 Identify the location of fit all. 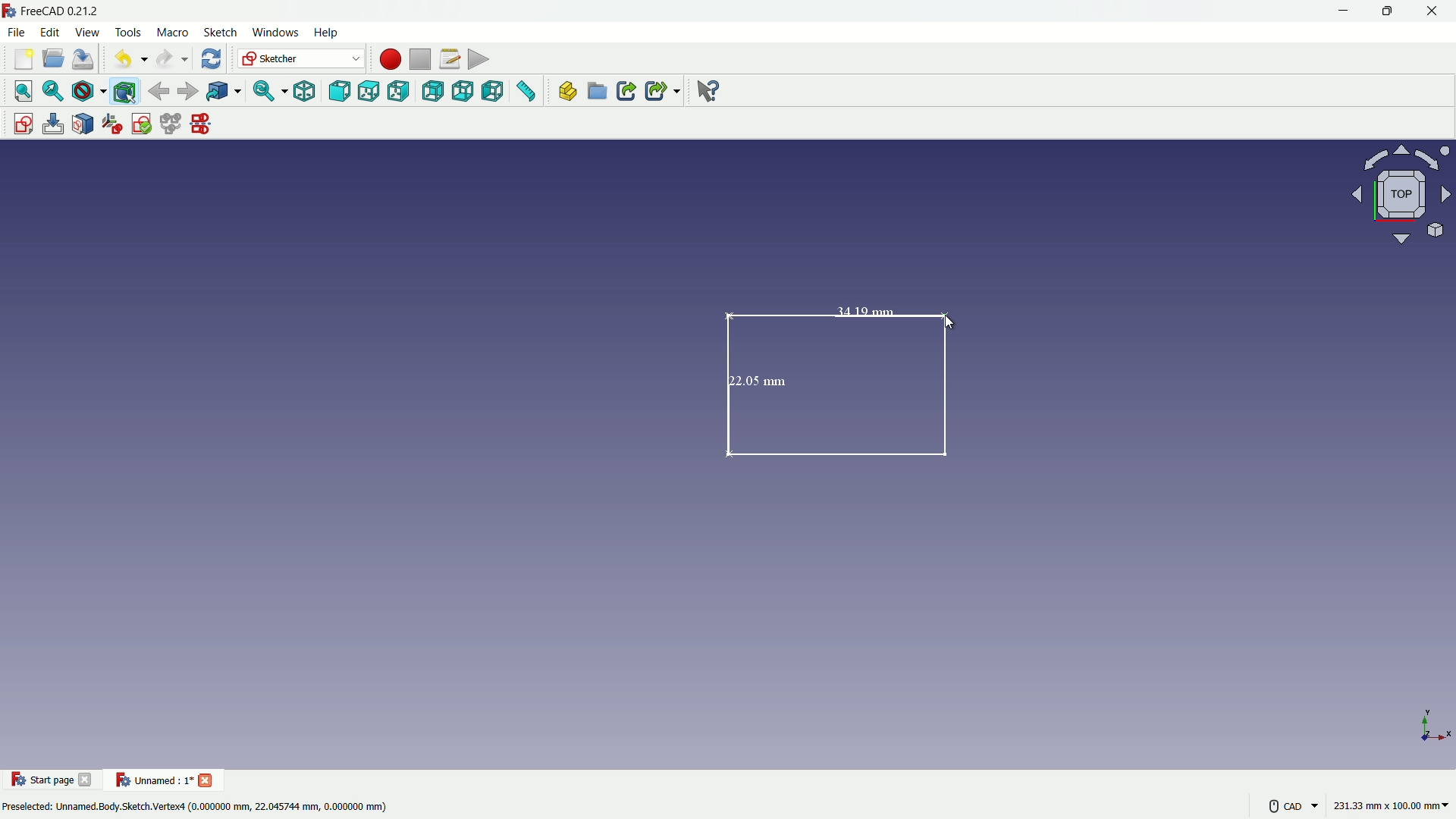
(20, 91).